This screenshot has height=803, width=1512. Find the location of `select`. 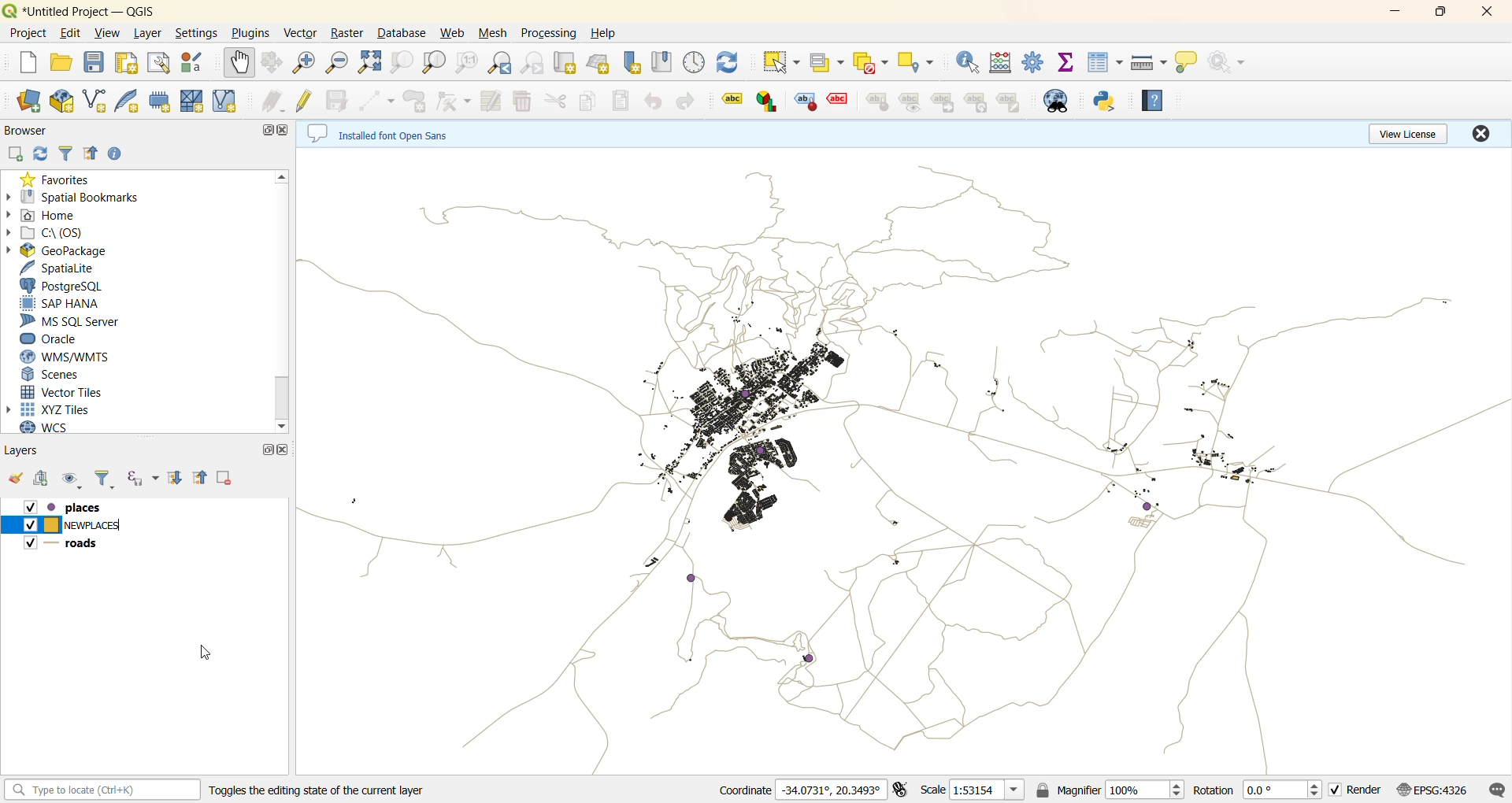

select is located at coordinates (780, 62).